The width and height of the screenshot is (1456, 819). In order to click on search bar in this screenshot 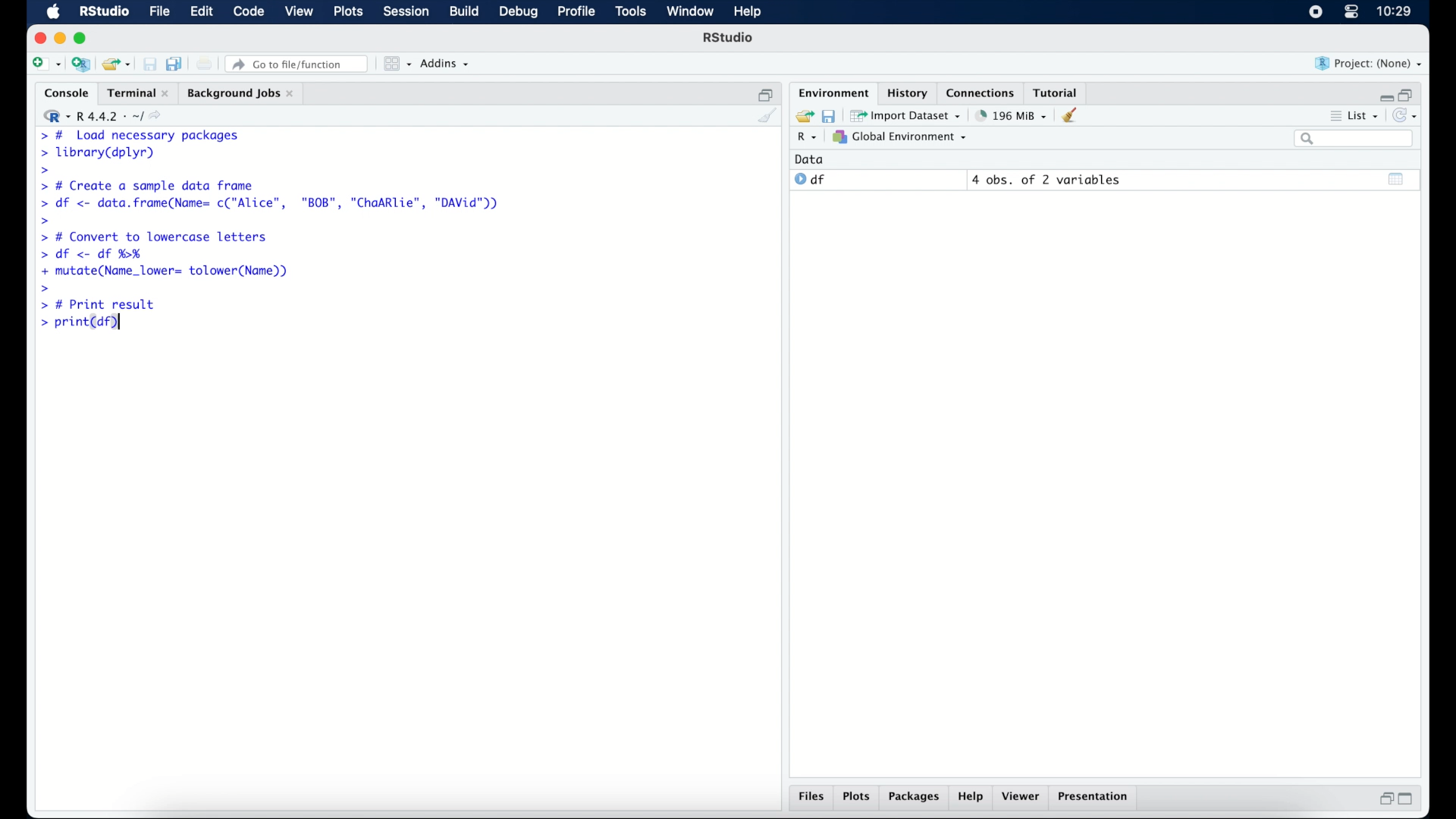, I will do `click(1353, 140)`.